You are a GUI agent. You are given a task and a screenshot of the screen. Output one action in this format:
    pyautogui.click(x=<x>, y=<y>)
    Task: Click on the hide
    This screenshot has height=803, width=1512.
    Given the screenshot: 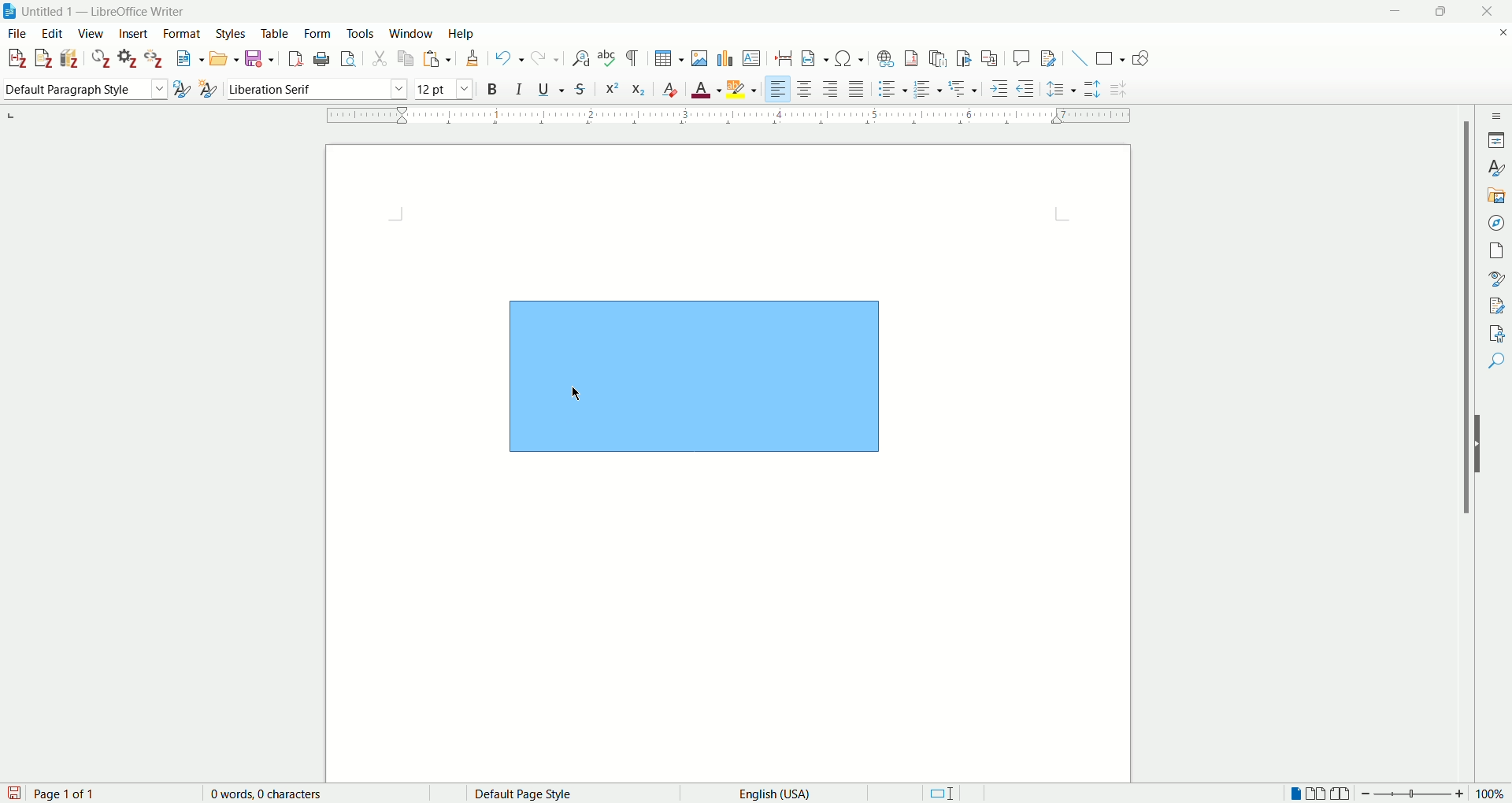 What is the action you would take?
    pyautogui.click(x=1482, y=443)
    